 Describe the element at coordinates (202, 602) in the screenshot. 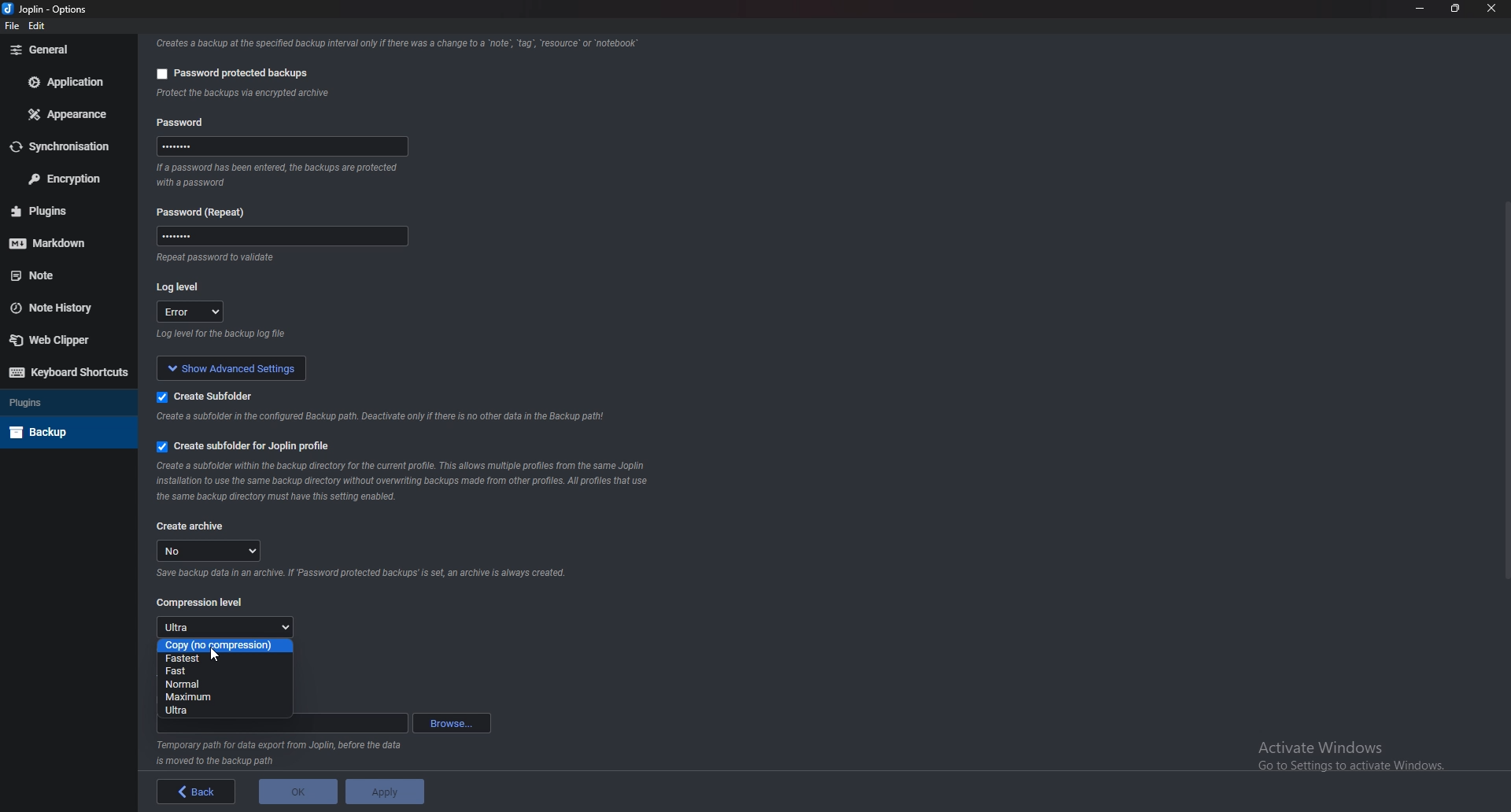

I see `Compression level` at that location.